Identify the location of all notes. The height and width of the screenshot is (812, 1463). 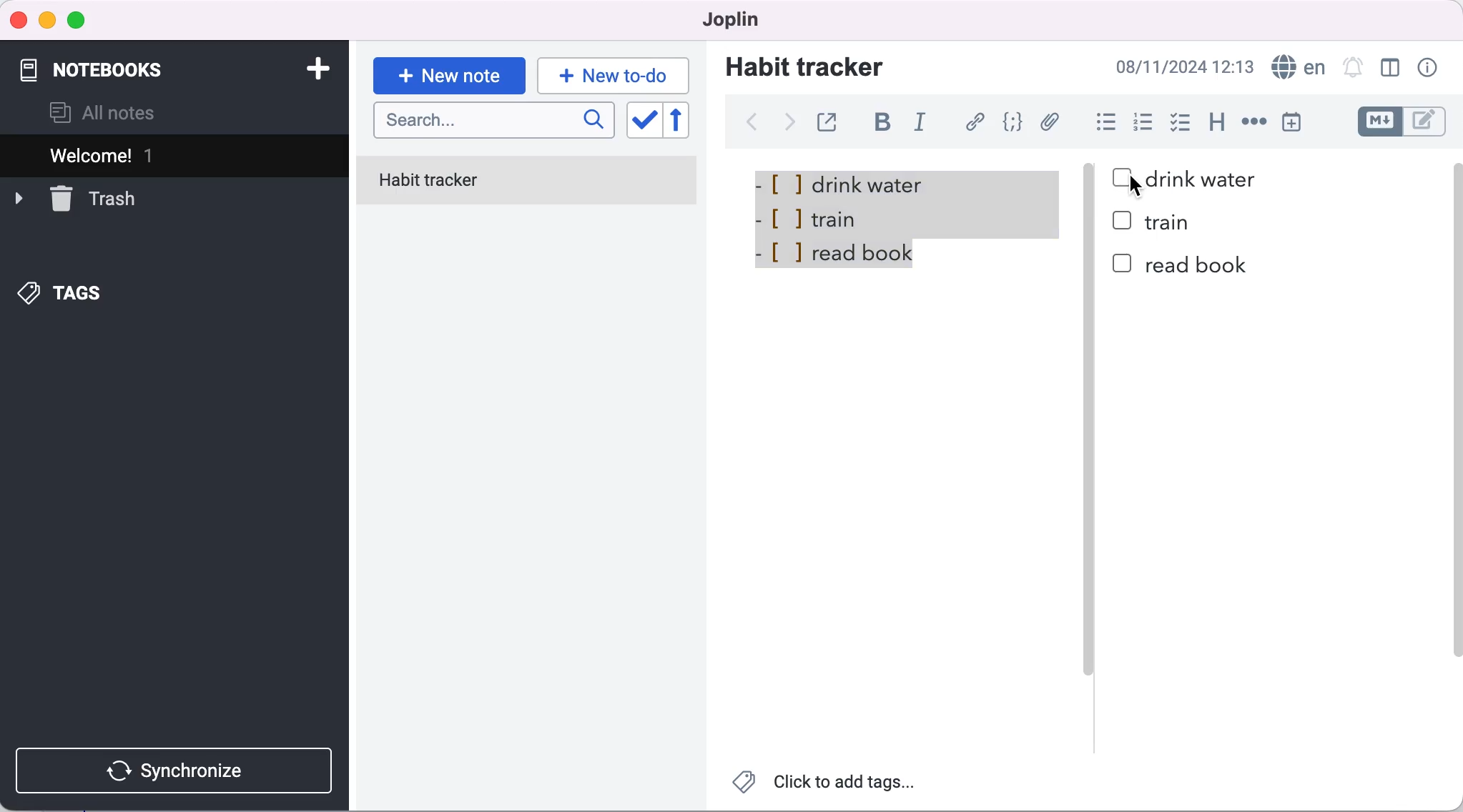
(103, 113).